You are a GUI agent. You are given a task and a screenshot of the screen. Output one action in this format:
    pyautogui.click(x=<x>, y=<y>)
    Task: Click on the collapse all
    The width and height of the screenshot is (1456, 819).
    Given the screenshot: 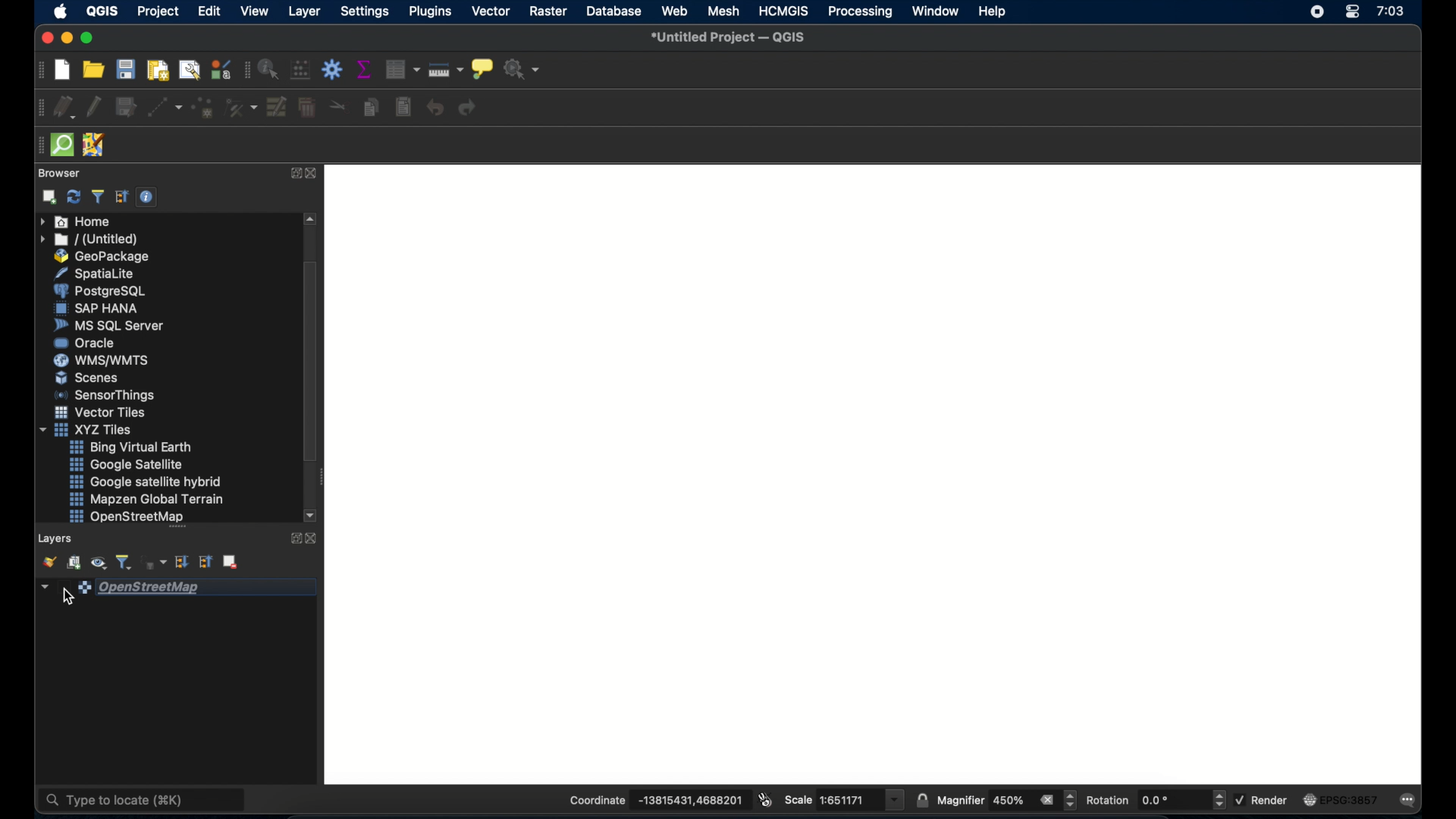 What is the action you would take?
    pyautogui.click(x=205, y=562)
    